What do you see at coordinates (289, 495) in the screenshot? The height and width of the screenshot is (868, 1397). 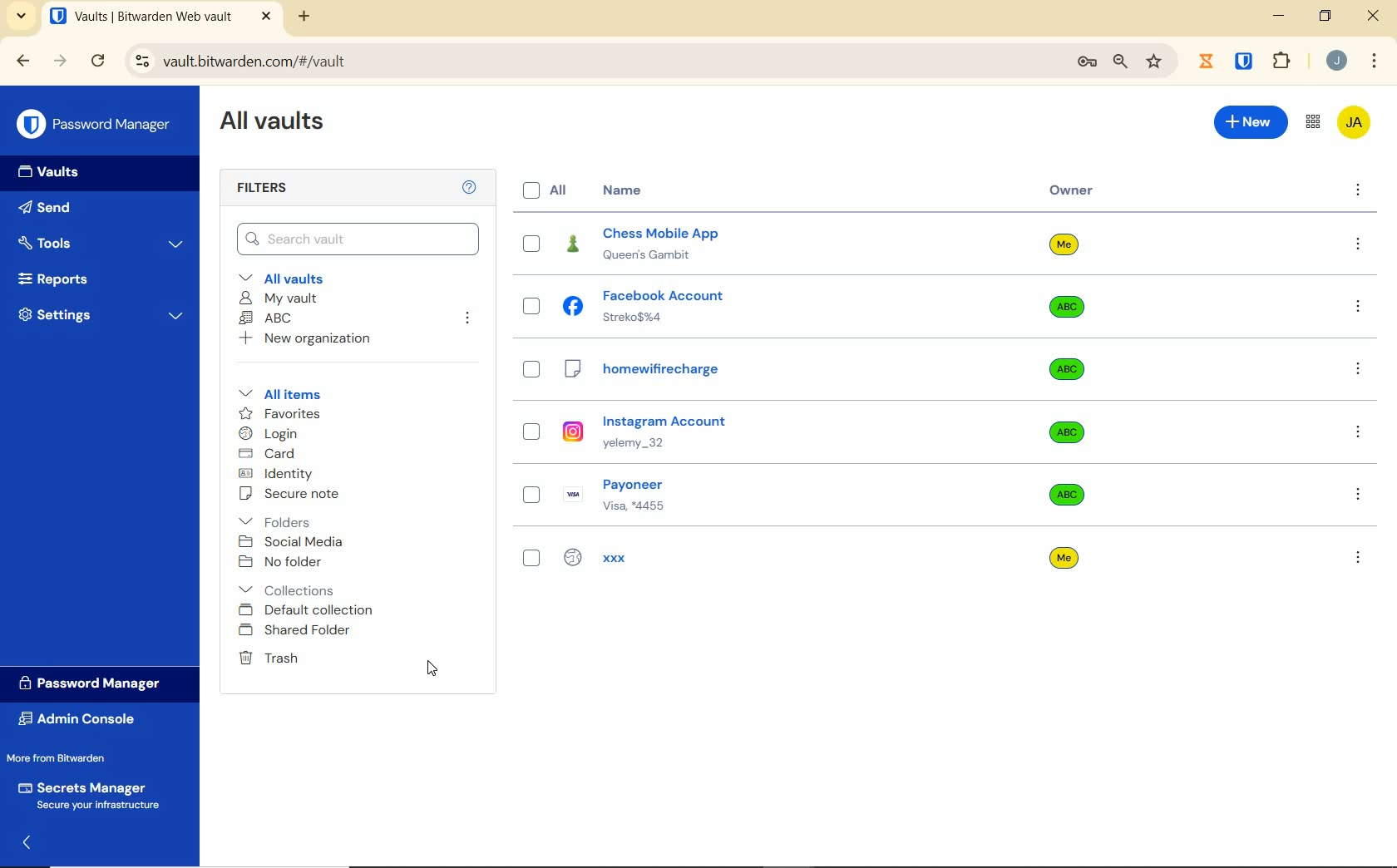 I see `secure note` at bounding box center [289, 495].